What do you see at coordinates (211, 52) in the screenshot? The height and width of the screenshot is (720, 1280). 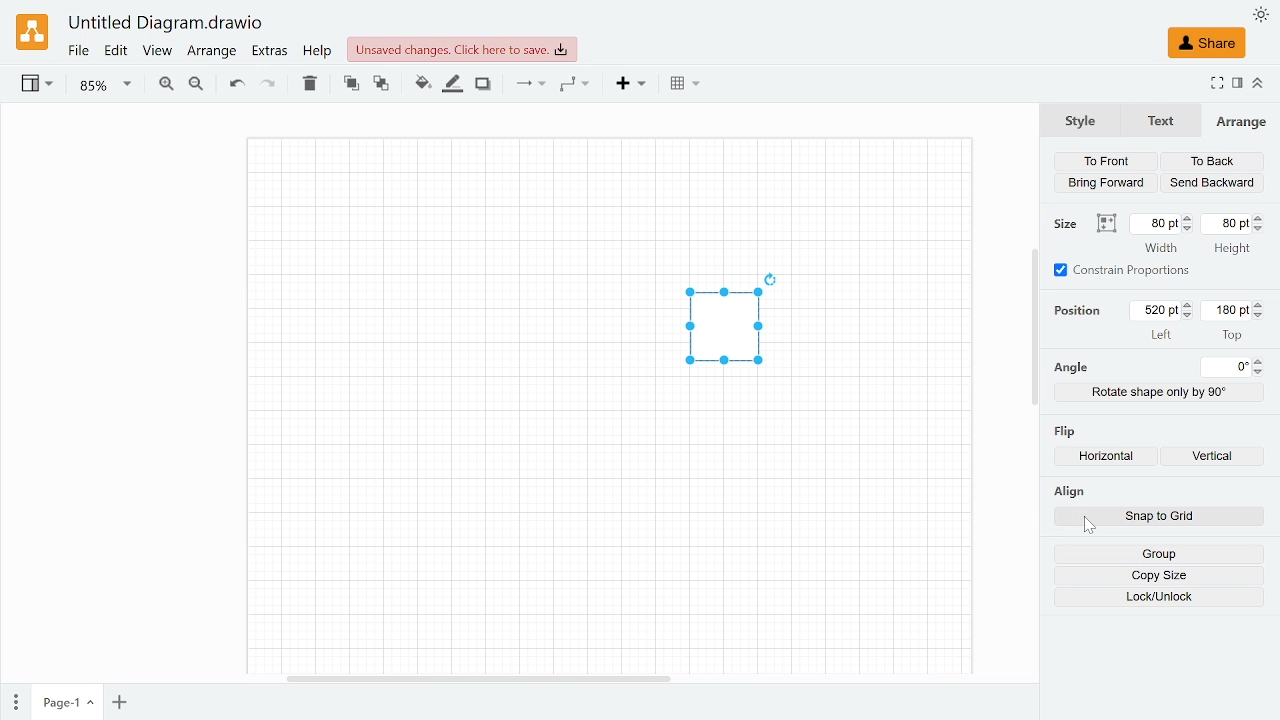 I see `Arrange` at bounding box center [211, 52].